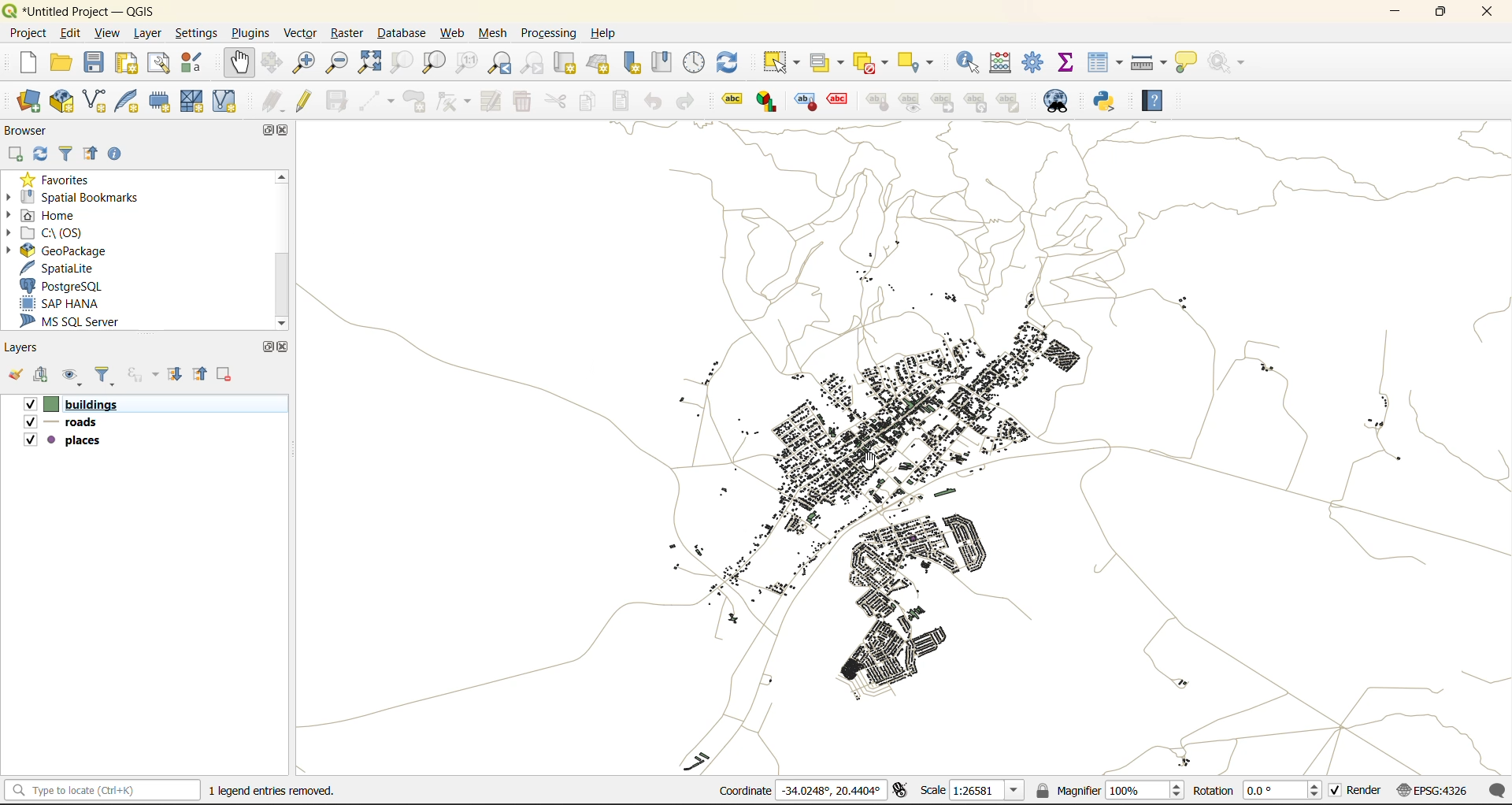  Describe the element at coordinates (1399, 15) in the screenshot. I see `minimize` at that location.